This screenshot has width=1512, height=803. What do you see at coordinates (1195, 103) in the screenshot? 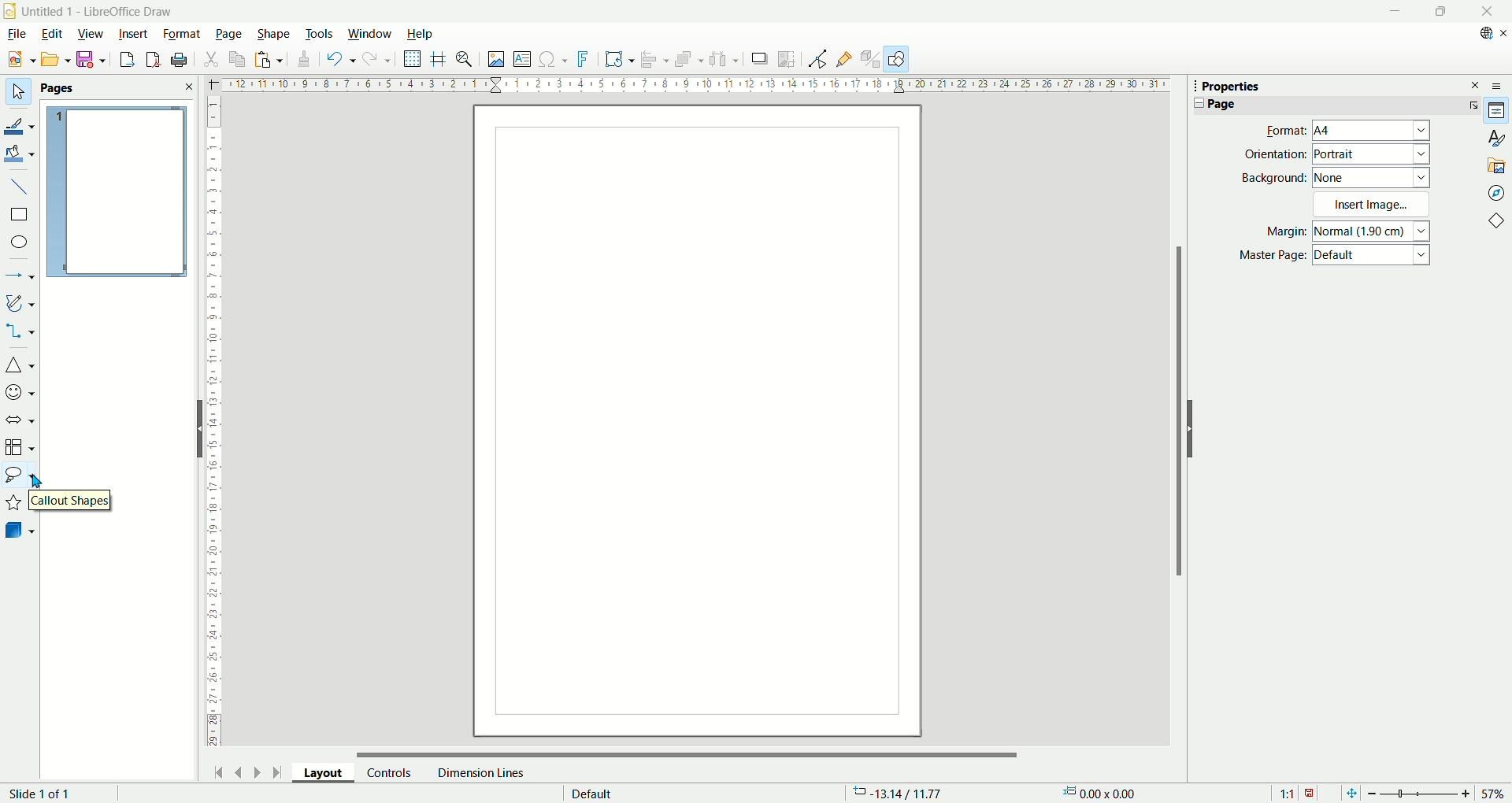
I see `Collapse` at bounding box center [1195, 103].